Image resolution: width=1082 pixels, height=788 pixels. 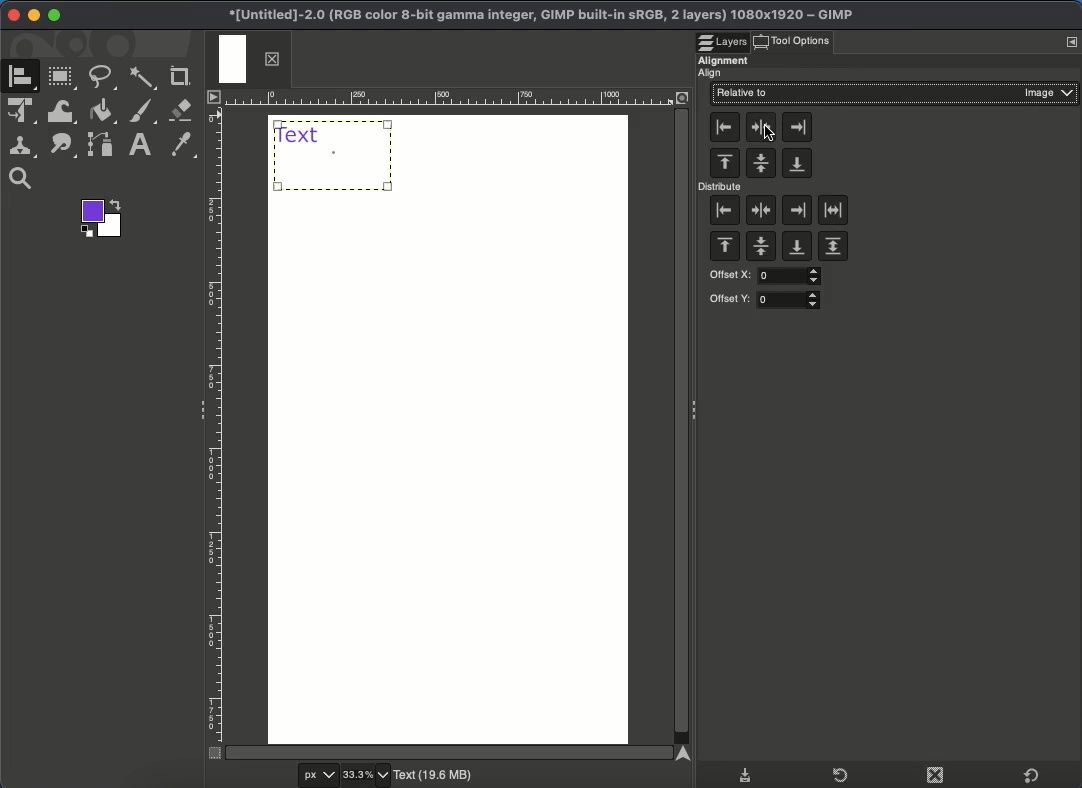 I want to click on Zoom, so click(x=25, y=179).